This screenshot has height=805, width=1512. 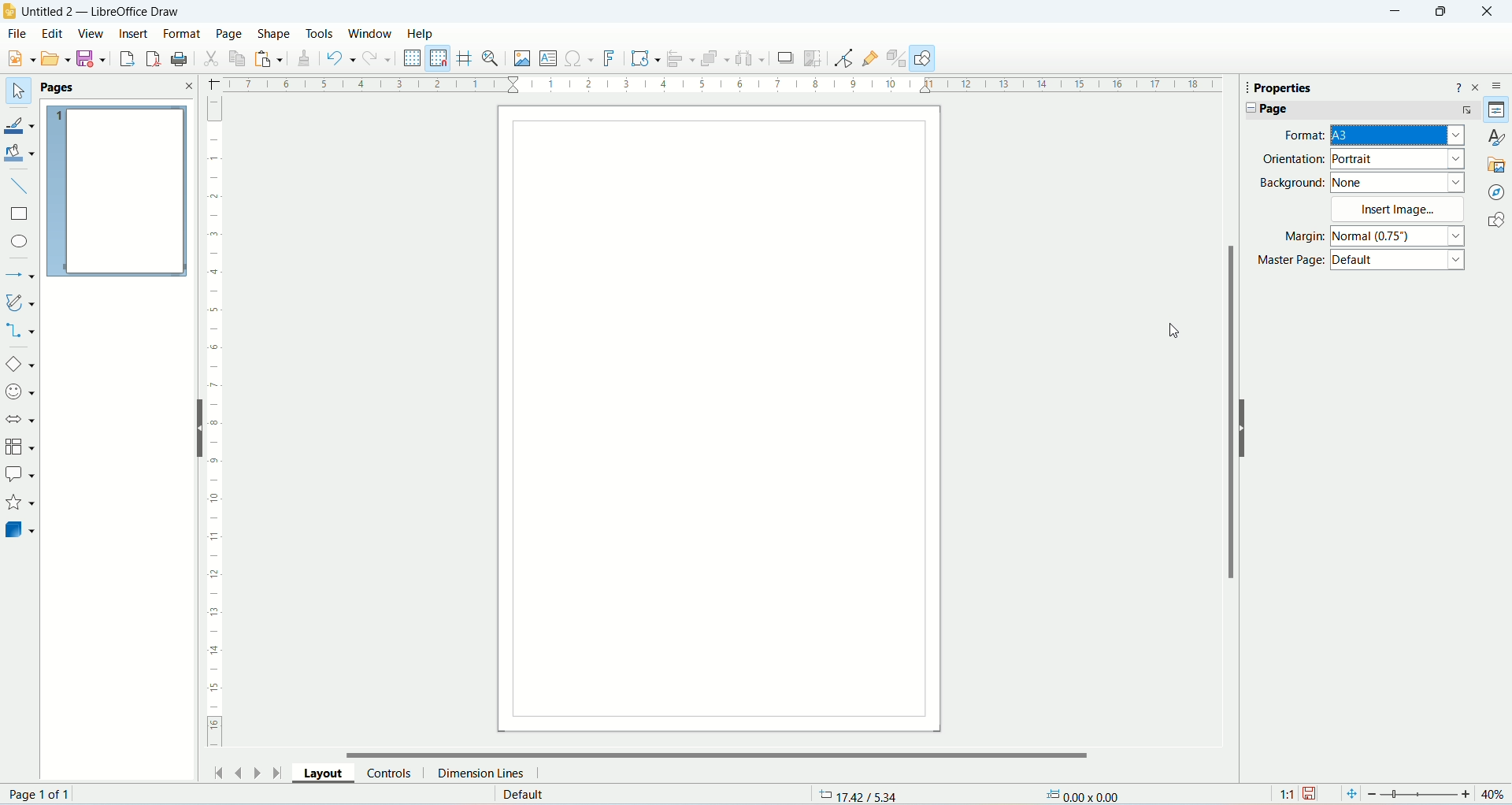 What do you see at coordinates (1498, 165) in the screenshot?
I see `gallery` at bounding box center [1498, 165].